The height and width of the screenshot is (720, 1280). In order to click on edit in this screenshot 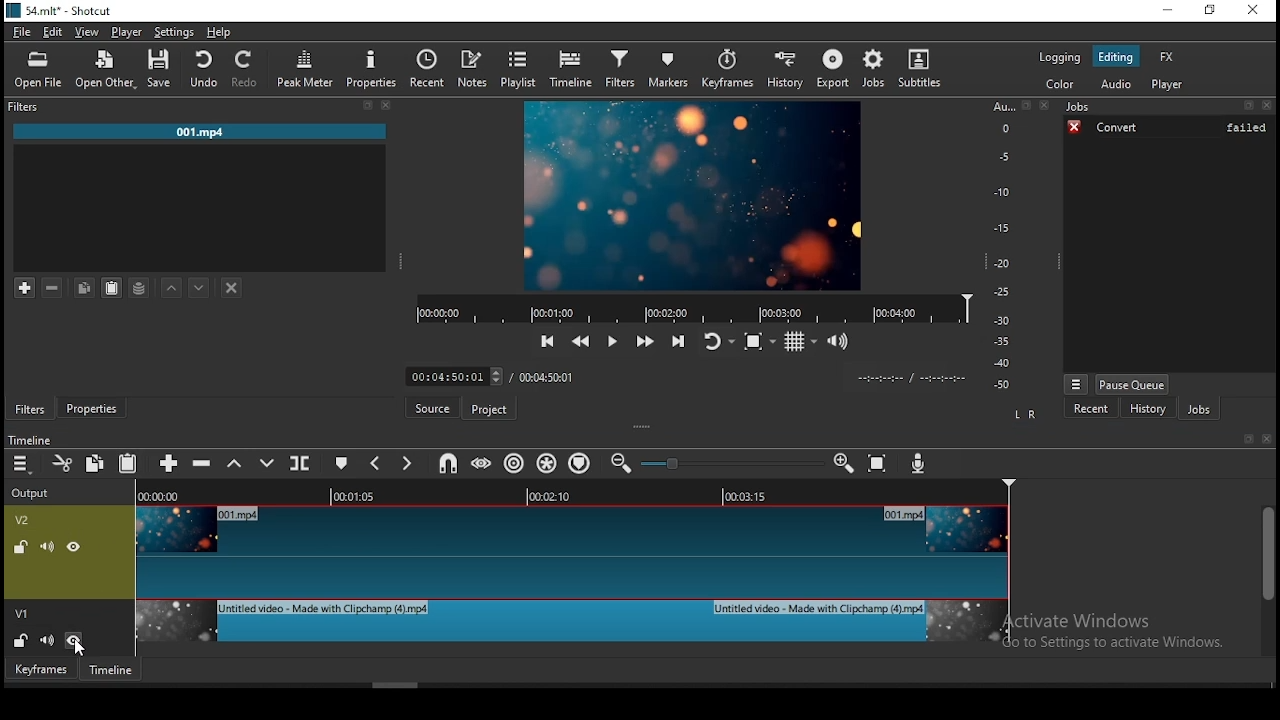, I will do `click(53, 32)`.